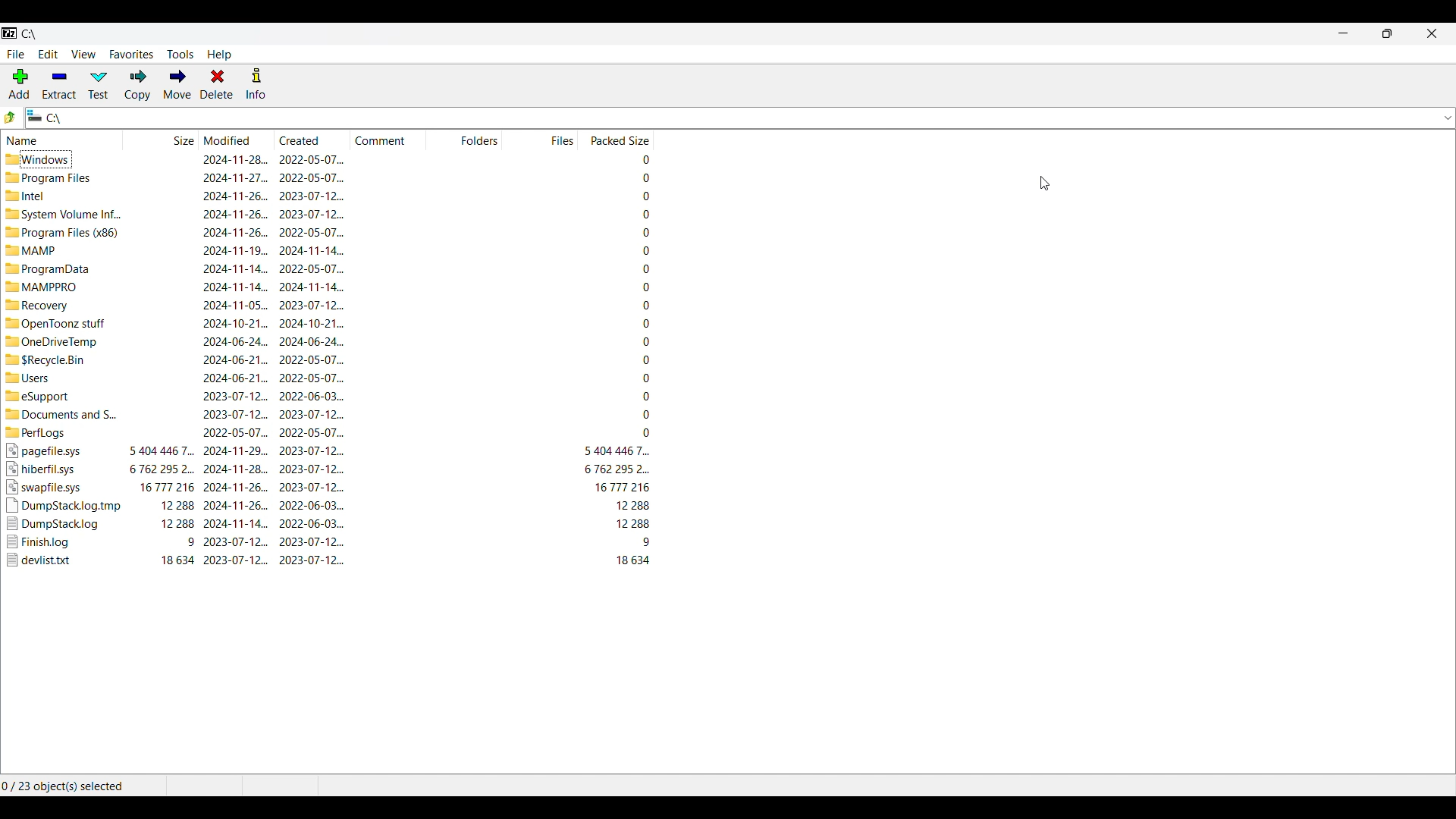 The height and width of the screenshot is (819, 1456). What do you see at coordinates (9, 34) in the screenshot?
I see `Software name and logo` at bounding box center [9, 34].